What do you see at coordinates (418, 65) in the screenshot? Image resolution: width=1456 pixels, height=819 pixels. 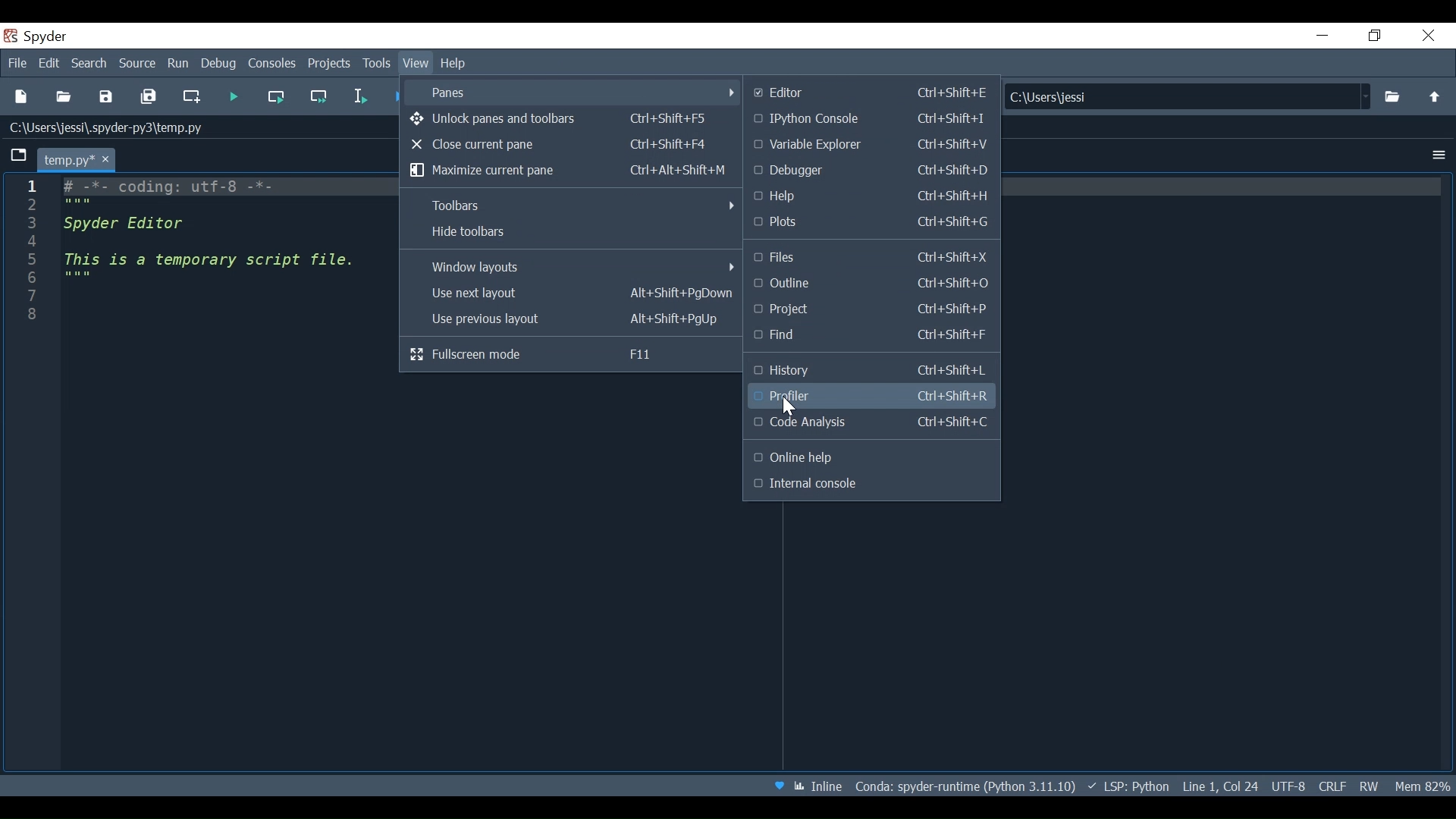 I see `View` at bounding box center [418, 65].